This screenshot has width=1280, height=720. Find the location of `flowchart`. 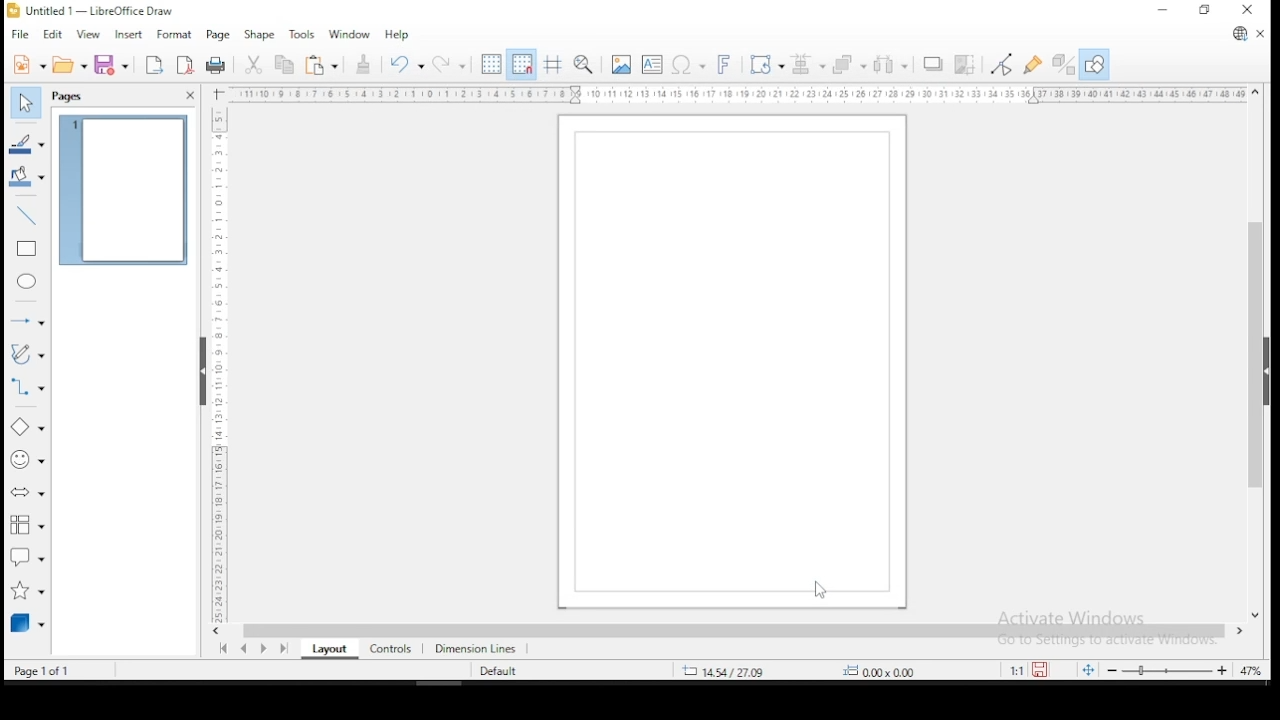

flowchart is located at coordinates (27, 527).